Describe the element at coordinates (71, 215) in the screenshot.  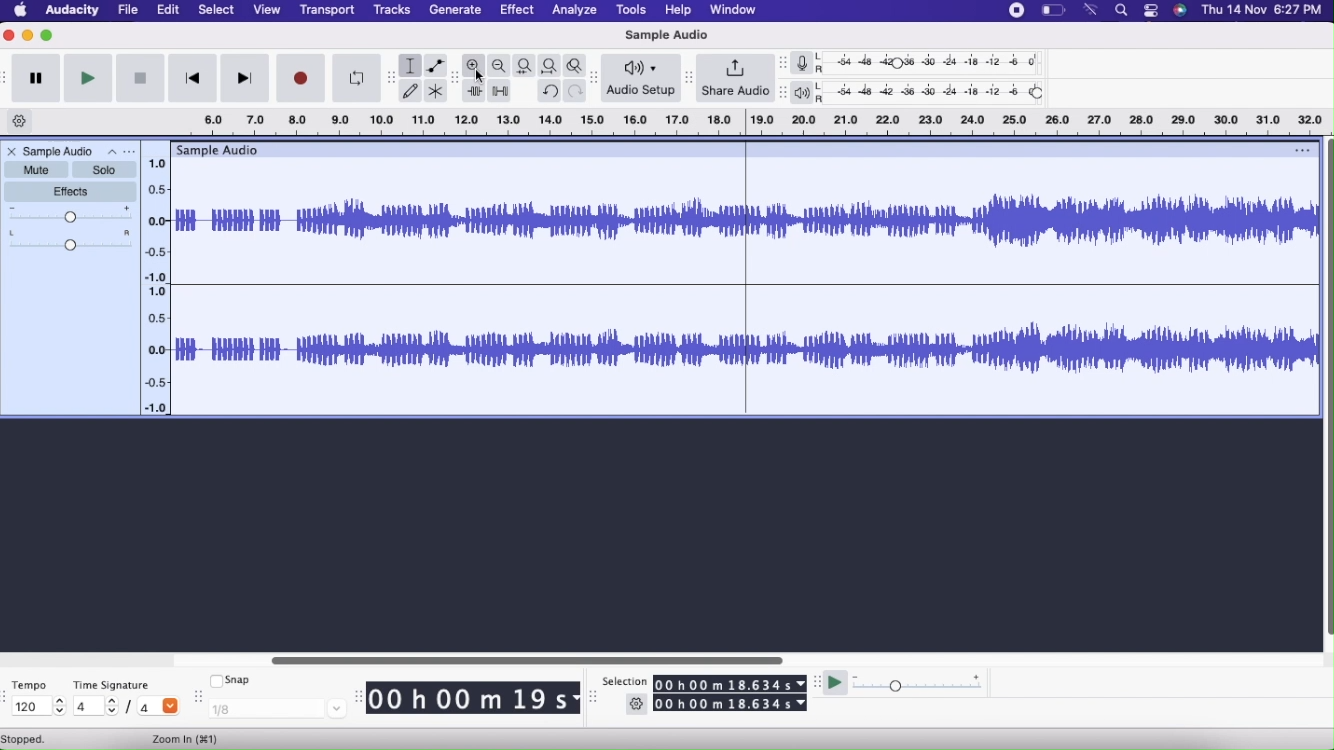
I see `Gain Slider` at that location.